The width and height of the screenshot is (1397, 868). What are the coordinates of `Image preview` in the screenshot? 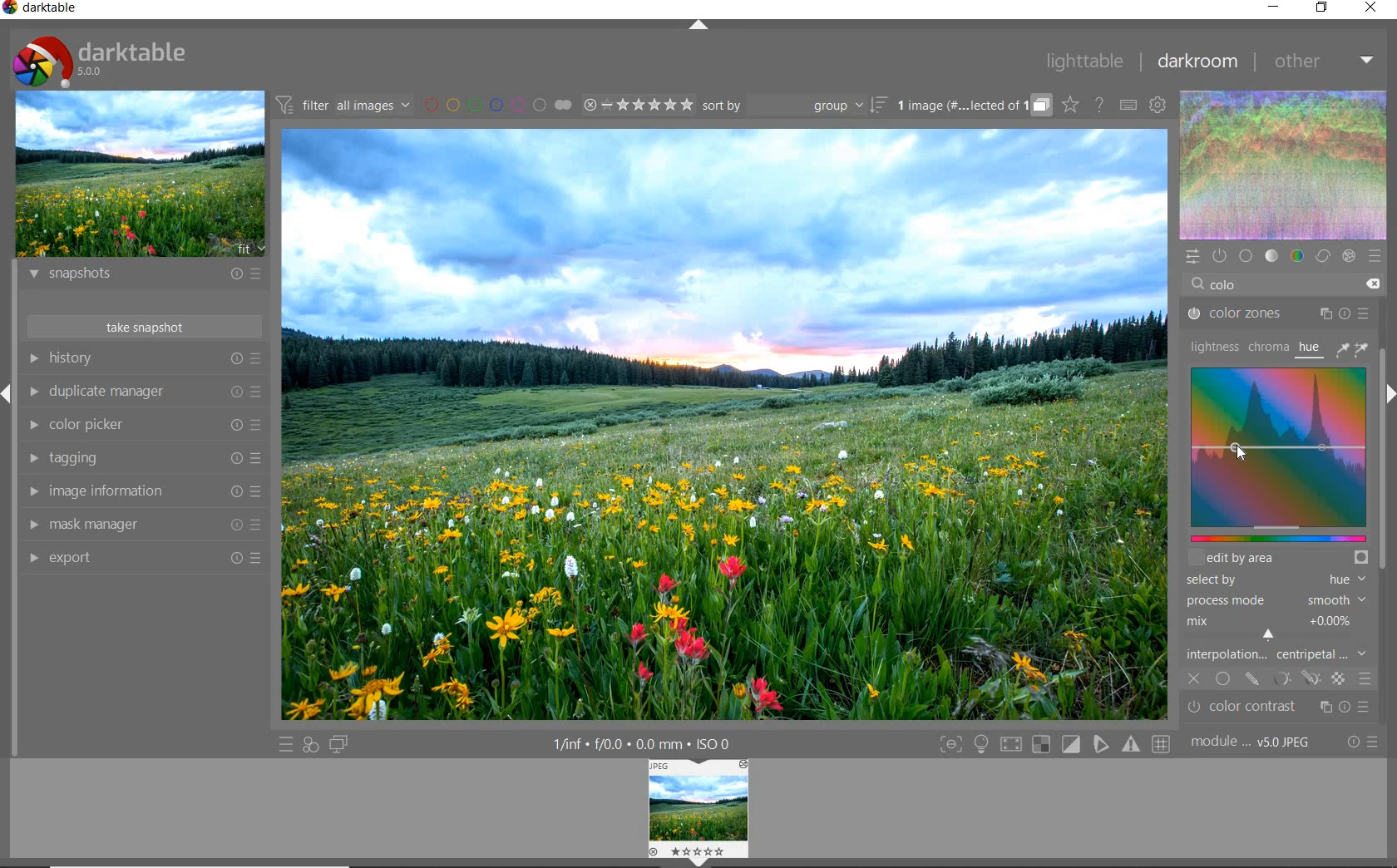 It's located at (699, 811).